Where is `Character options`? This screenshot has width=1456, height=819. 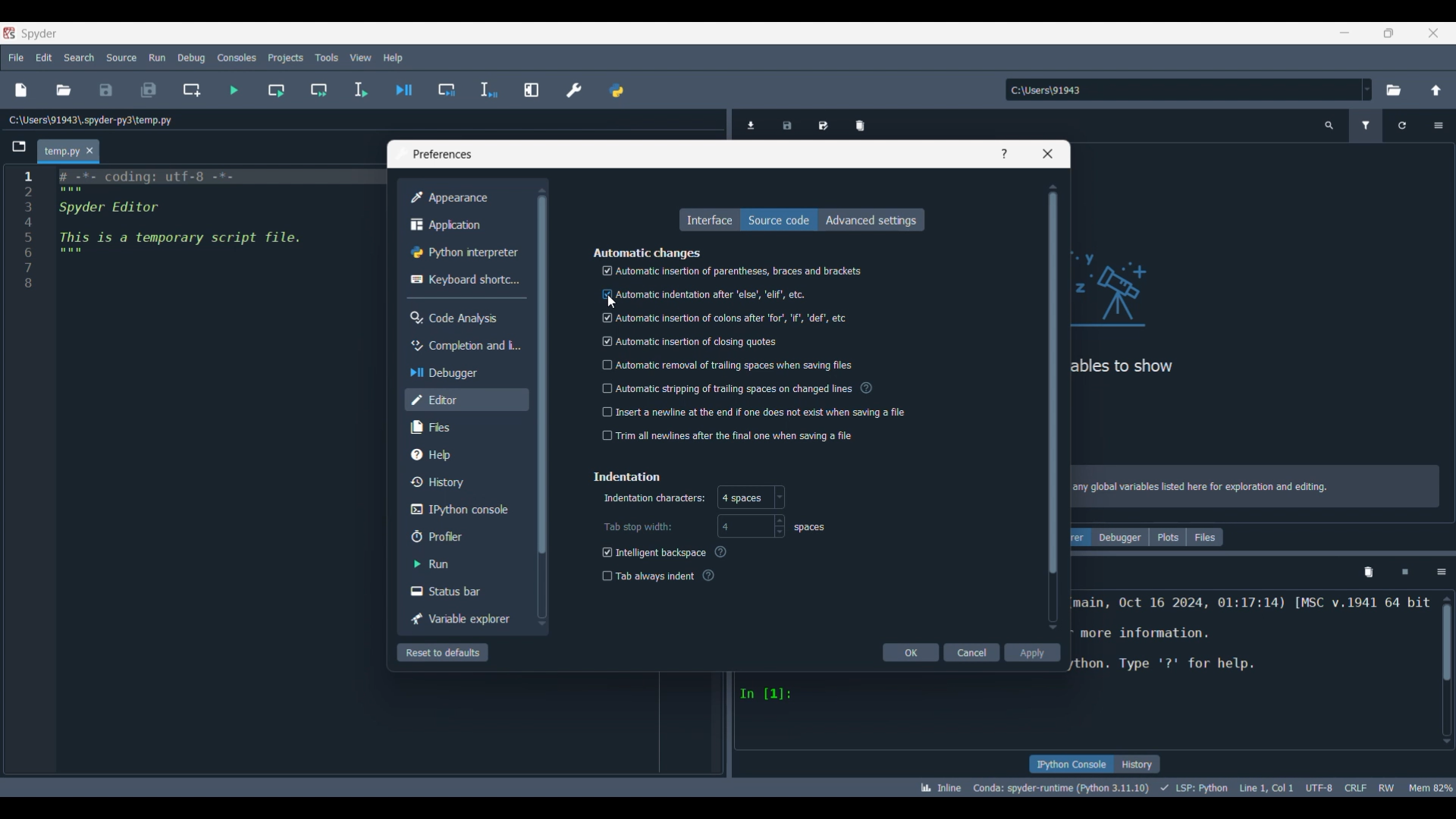
Character options is located at coordinates (751, 497).